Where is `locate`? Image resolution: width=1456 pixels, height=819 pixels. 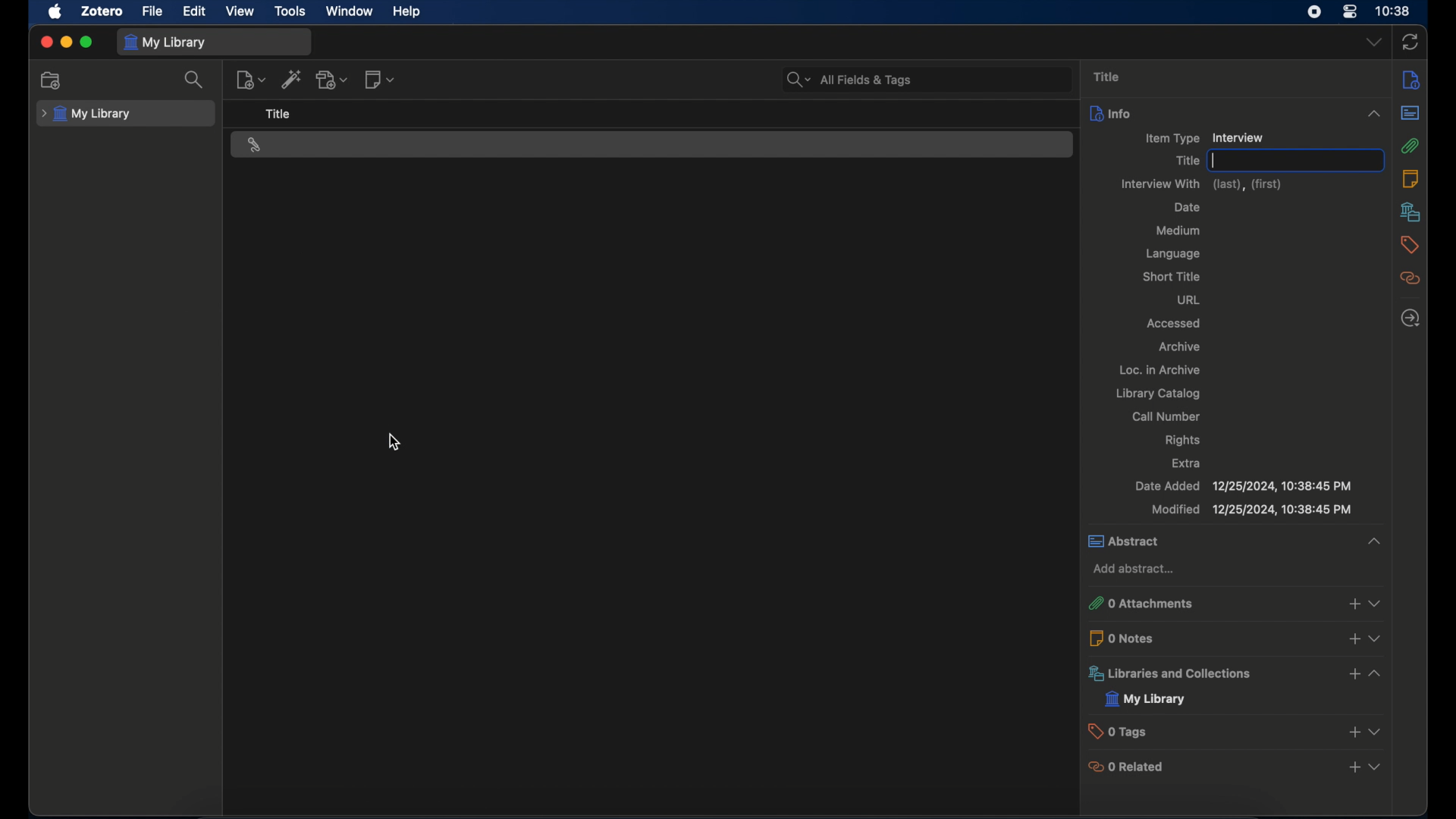
locate is located at coordinates (1410, 318).